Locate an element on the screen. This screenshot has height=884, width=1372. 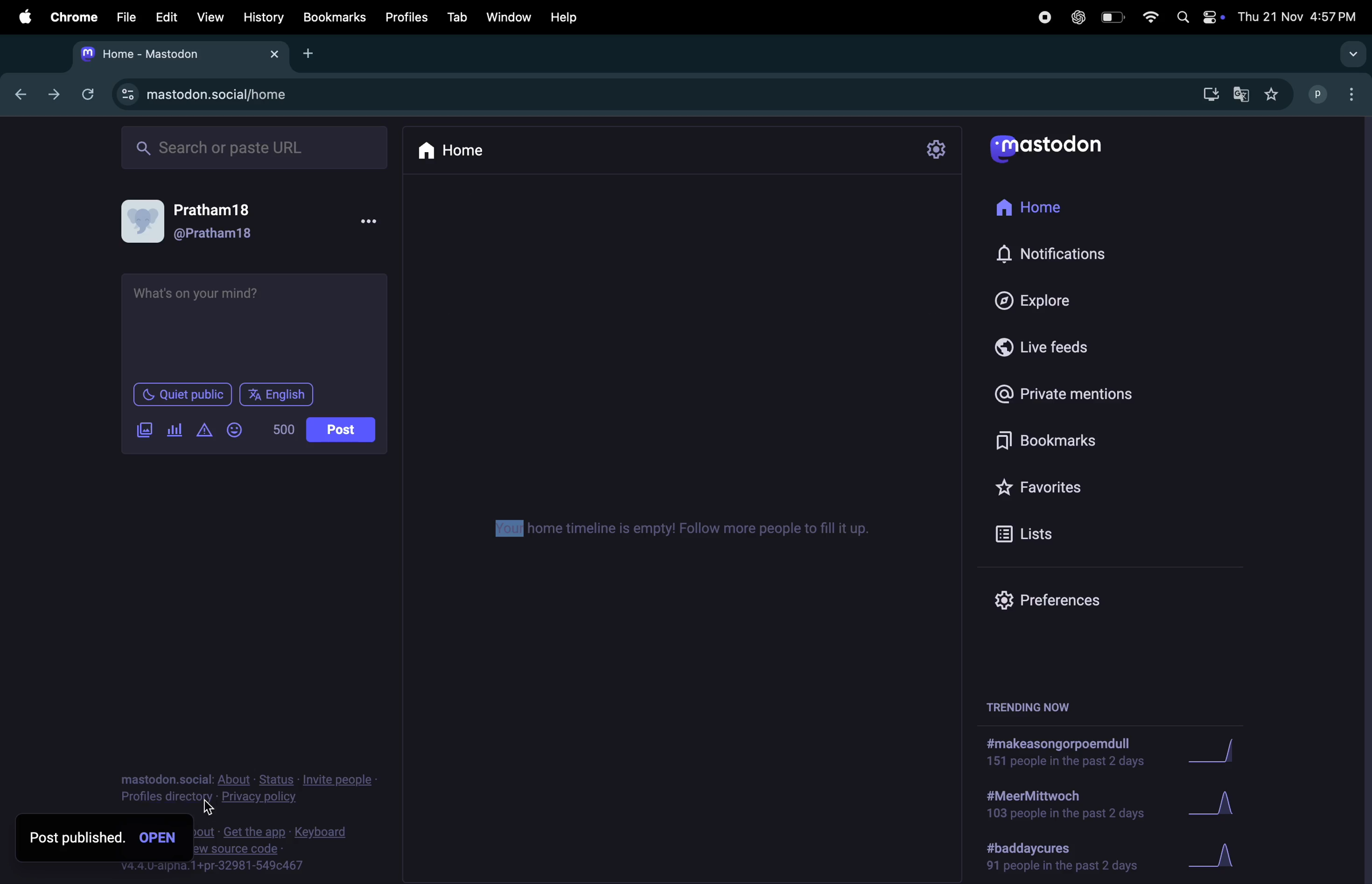
history is located at coordinates (263, 17).